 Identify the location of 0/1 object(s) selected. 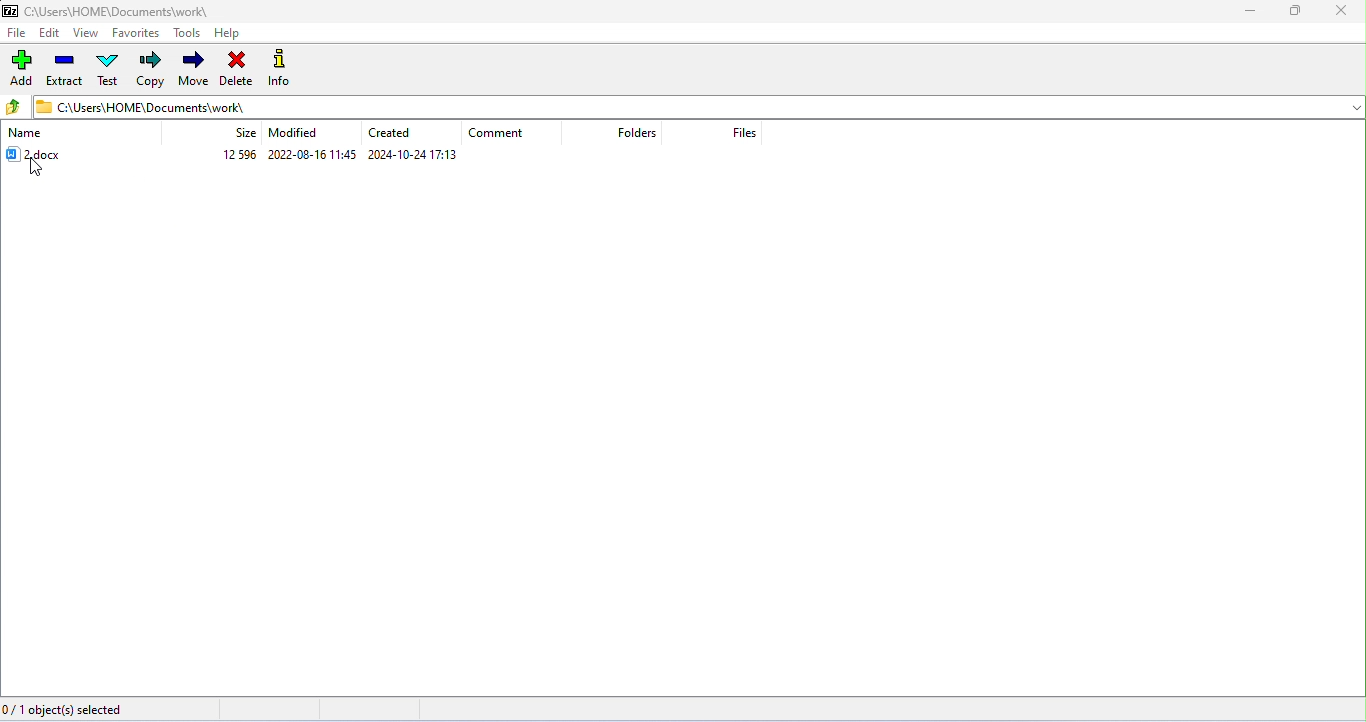
(75, 711).